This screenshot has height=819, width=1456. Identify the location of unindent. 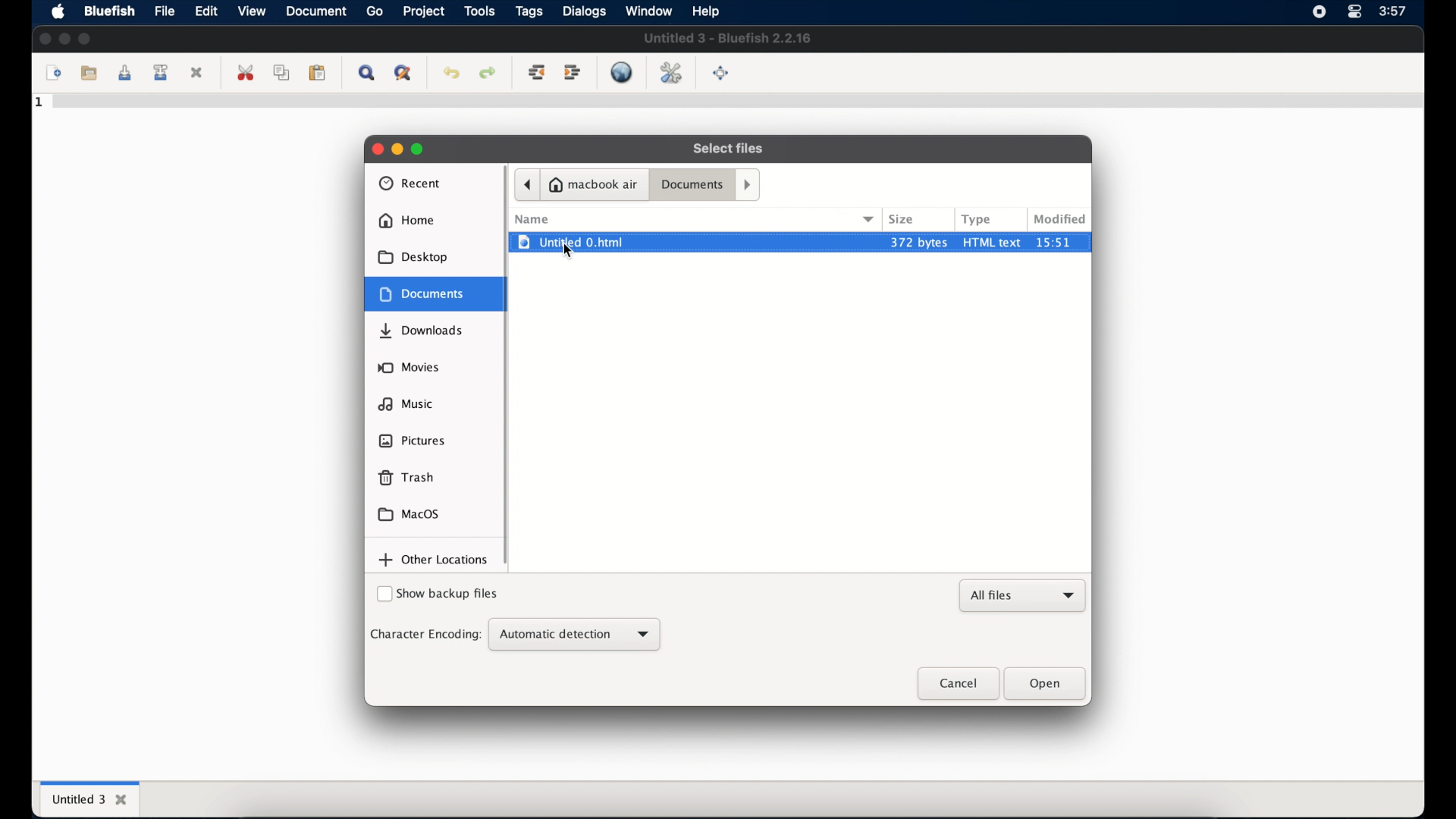
(537, 74).